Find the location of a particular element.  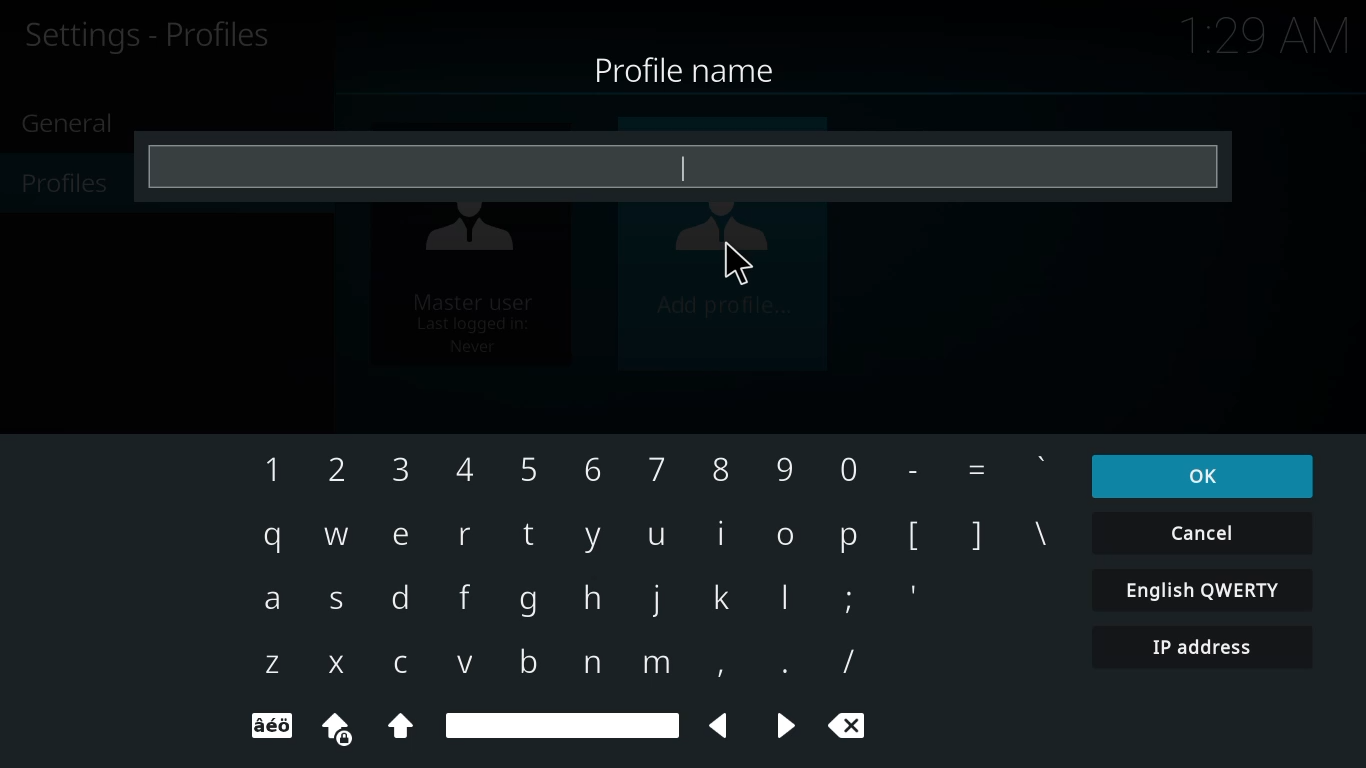

b is located at coordinates (528, 668).